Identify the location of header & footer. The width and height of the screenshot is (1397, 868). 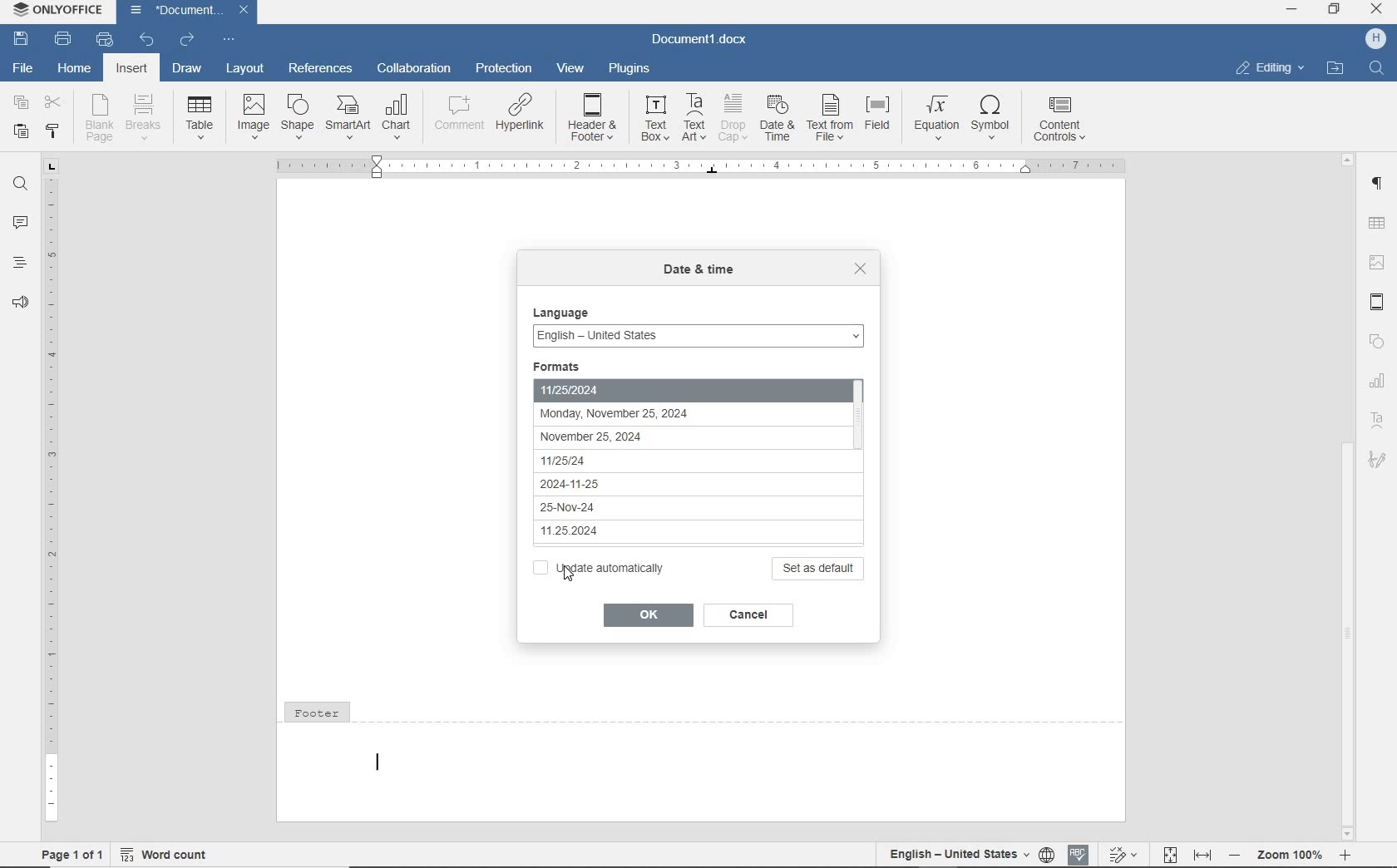
(1377, 302).